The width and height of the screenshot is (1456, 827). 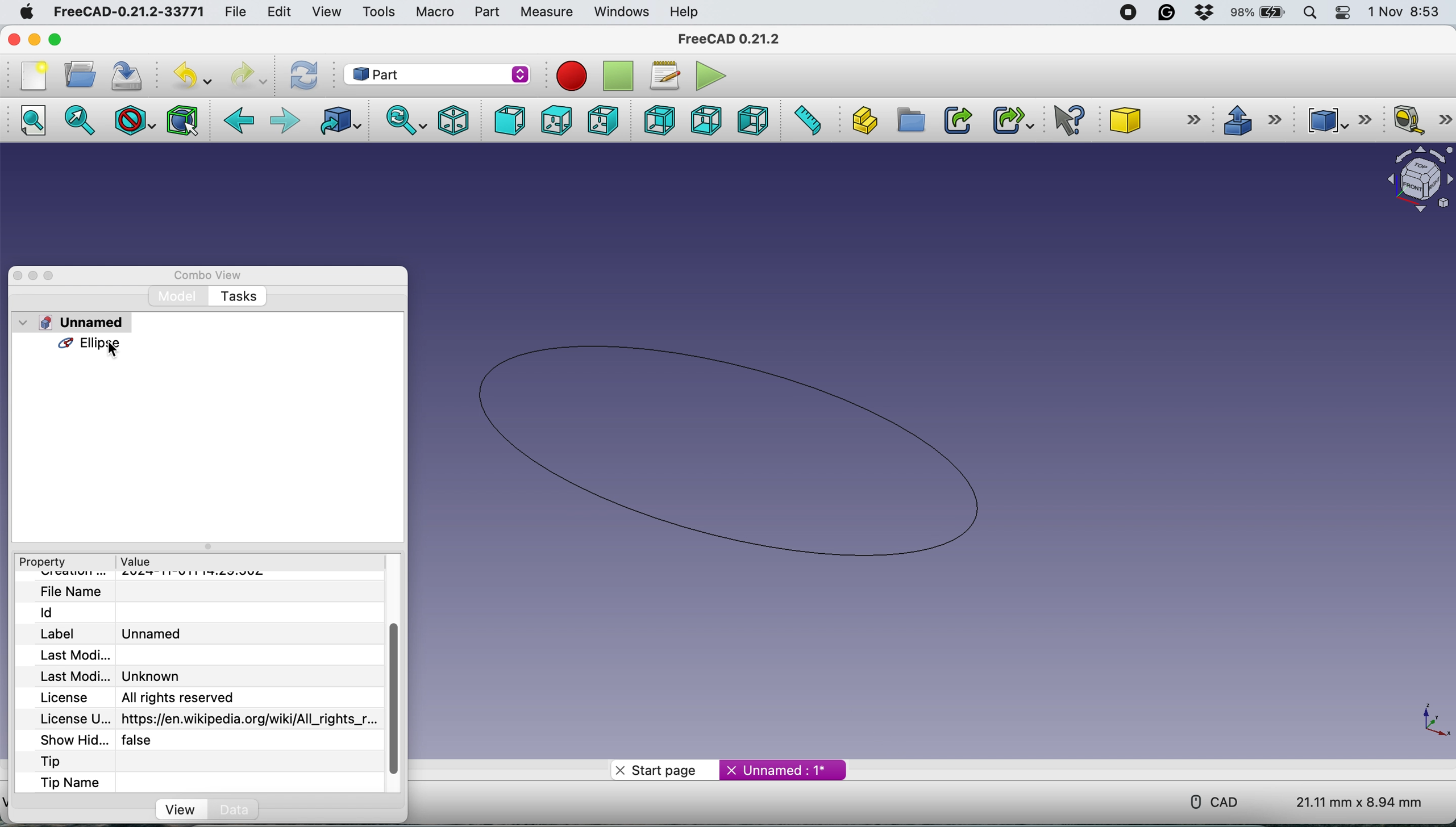 What do you see at coordinates (1257, 14) in the screenshot?
I see `battery` at bounding box center [1257, 14].